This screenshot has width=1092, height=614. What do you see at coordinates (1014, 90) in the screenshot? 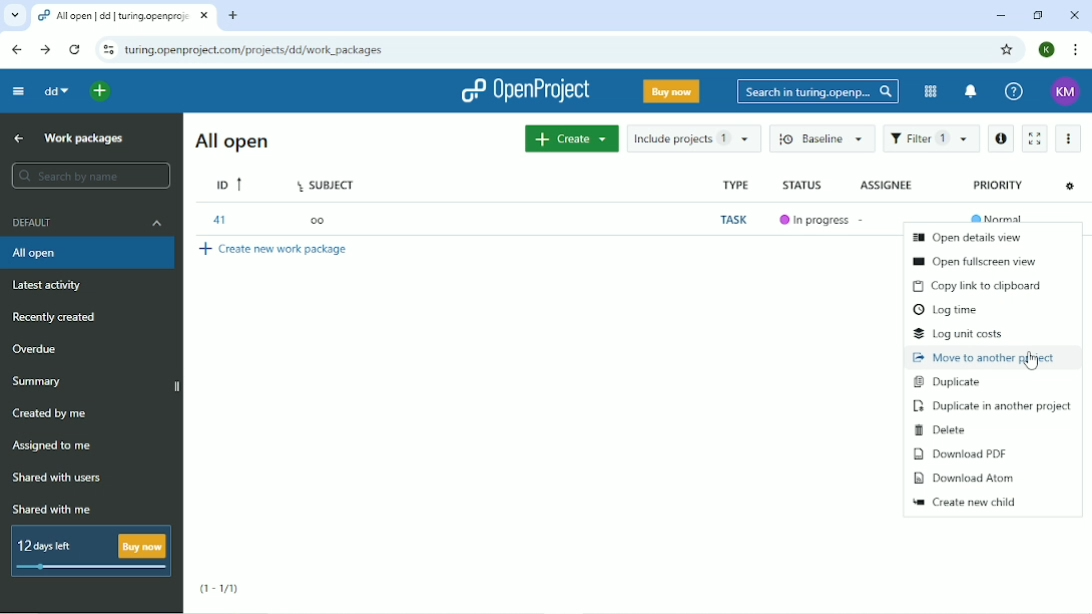
I see `Help` at bounding box center [1014, 90].